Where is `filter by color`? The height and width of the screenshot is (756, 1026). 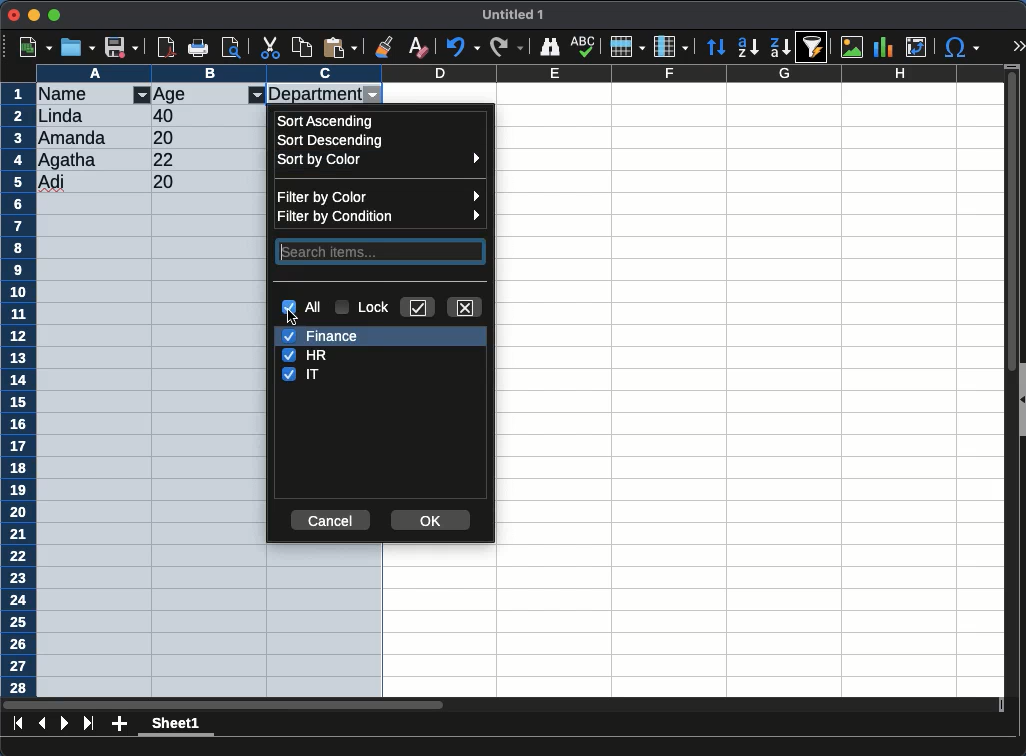
filter by color is located at coordinates (379, 195).